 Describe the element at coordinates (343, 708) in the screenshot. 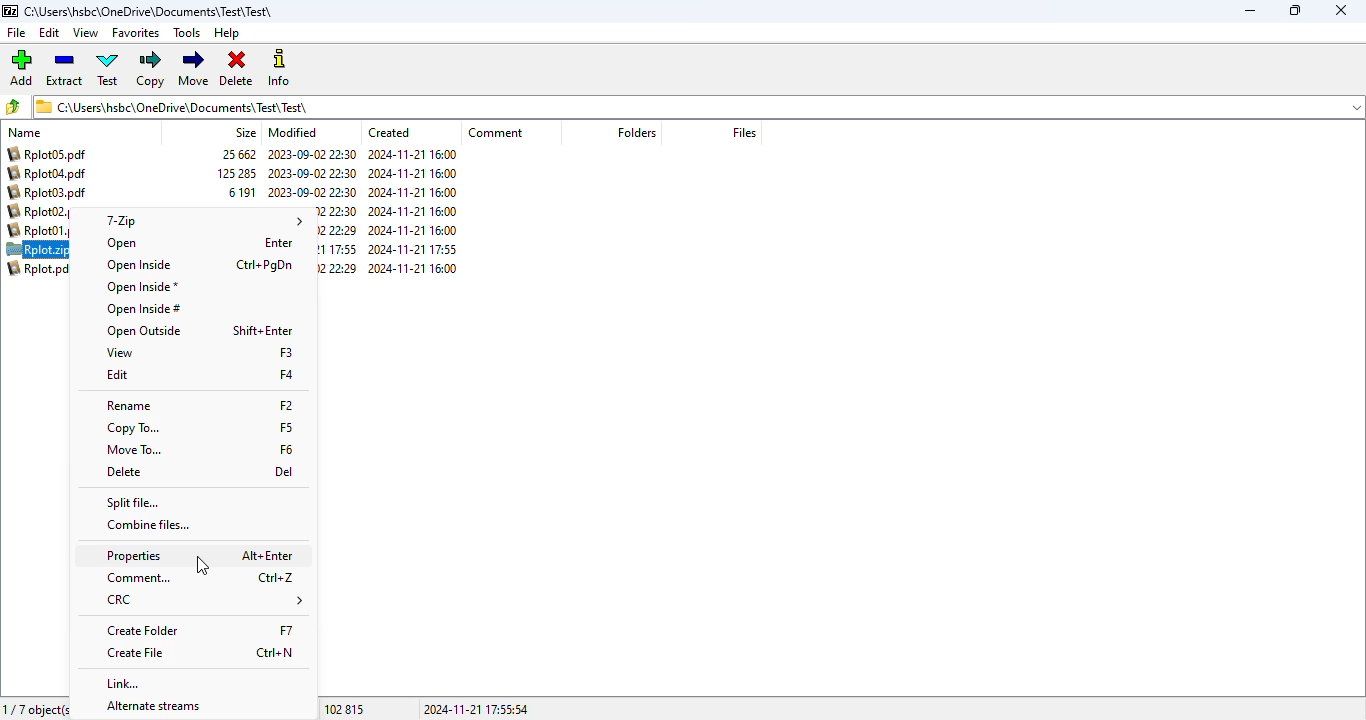

I see `102 815` at that location.